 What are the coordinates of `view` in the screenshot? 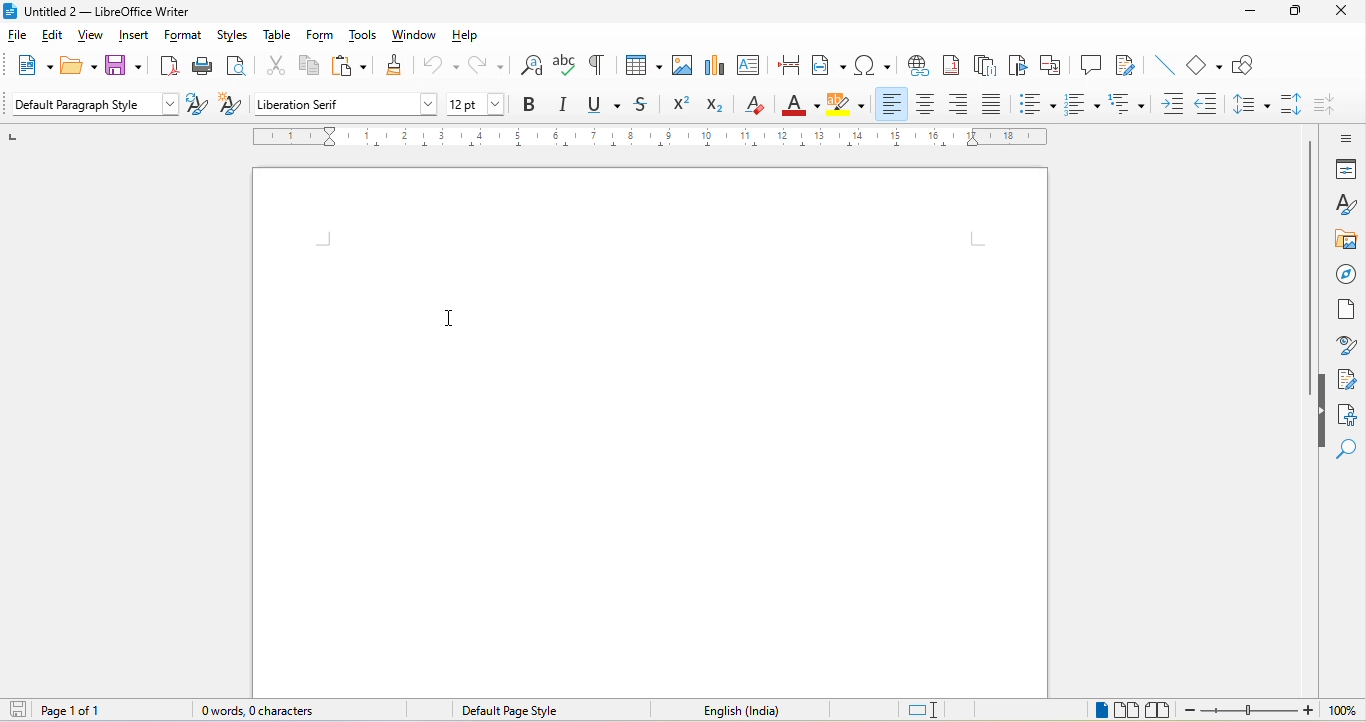 It's located at (92, 38).